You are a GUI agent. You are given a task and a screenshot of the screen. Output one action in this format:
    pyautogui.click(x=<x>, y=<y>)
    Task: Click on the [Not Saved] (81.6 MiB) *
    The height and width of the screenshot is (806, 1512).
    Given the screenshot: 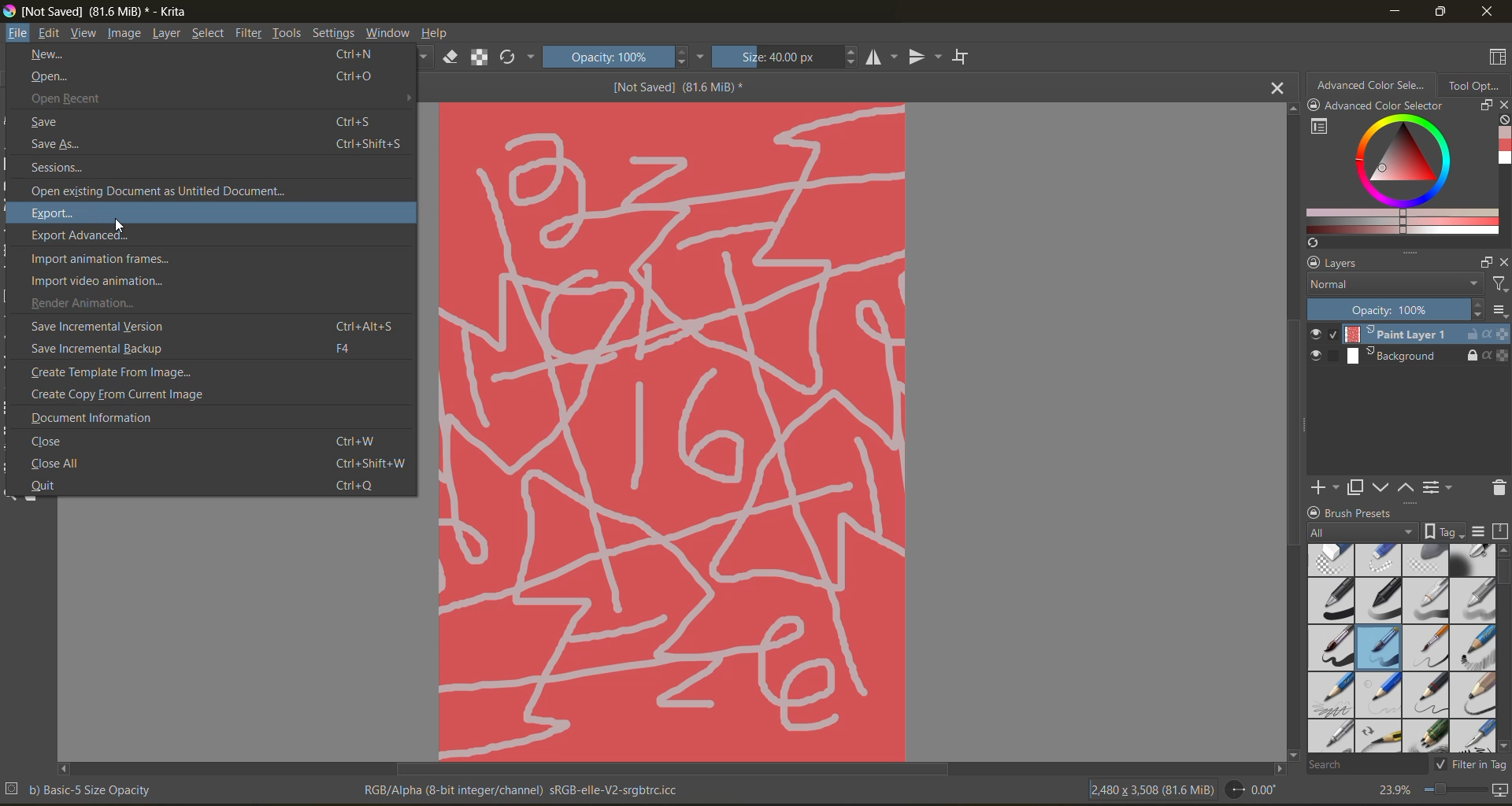 What is the action you would take?
    pyautogui.click(x=686, y=88)
    